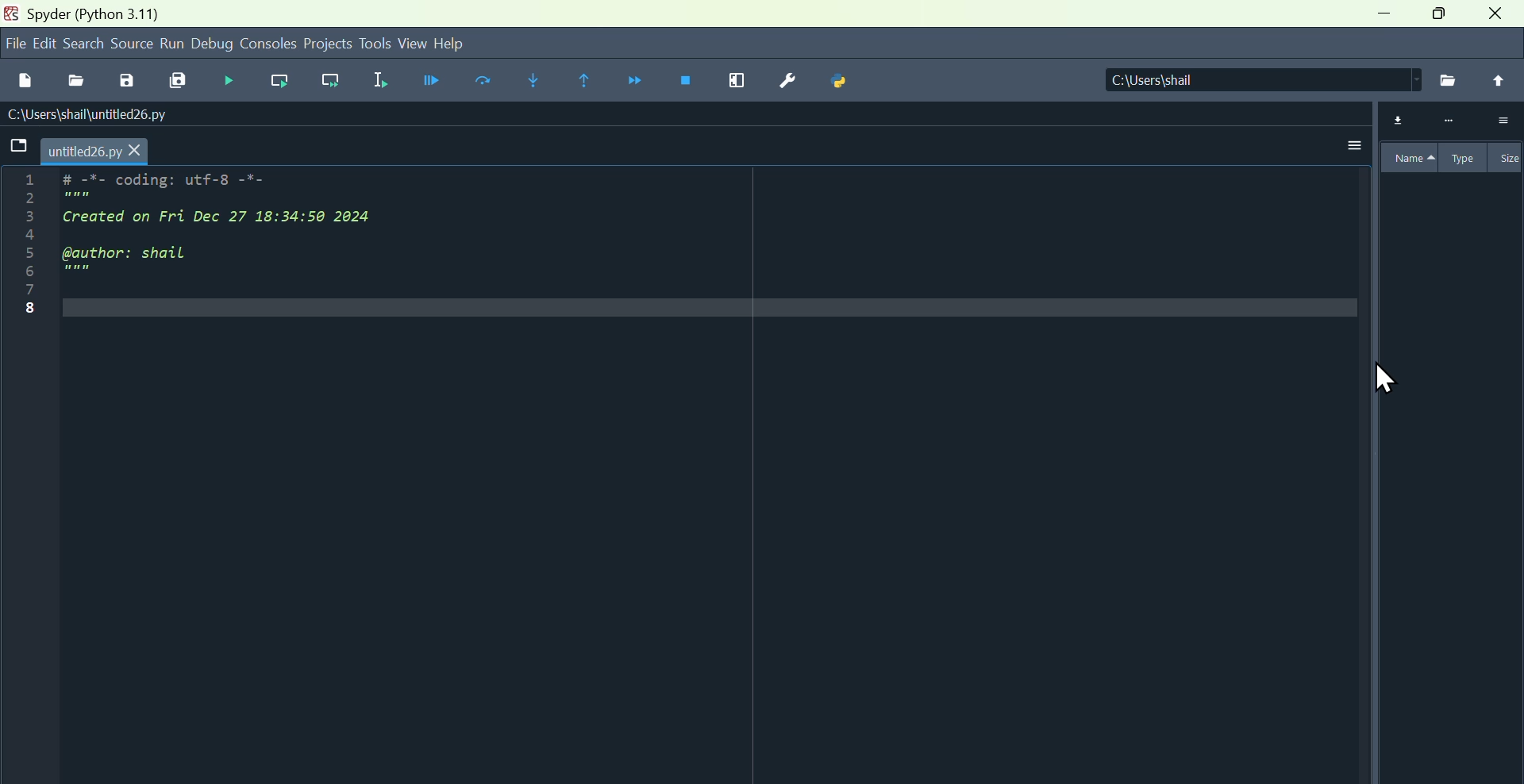  Describe the element at coordinates (16, 148) in the screenshot. I see `Folders` at that location.